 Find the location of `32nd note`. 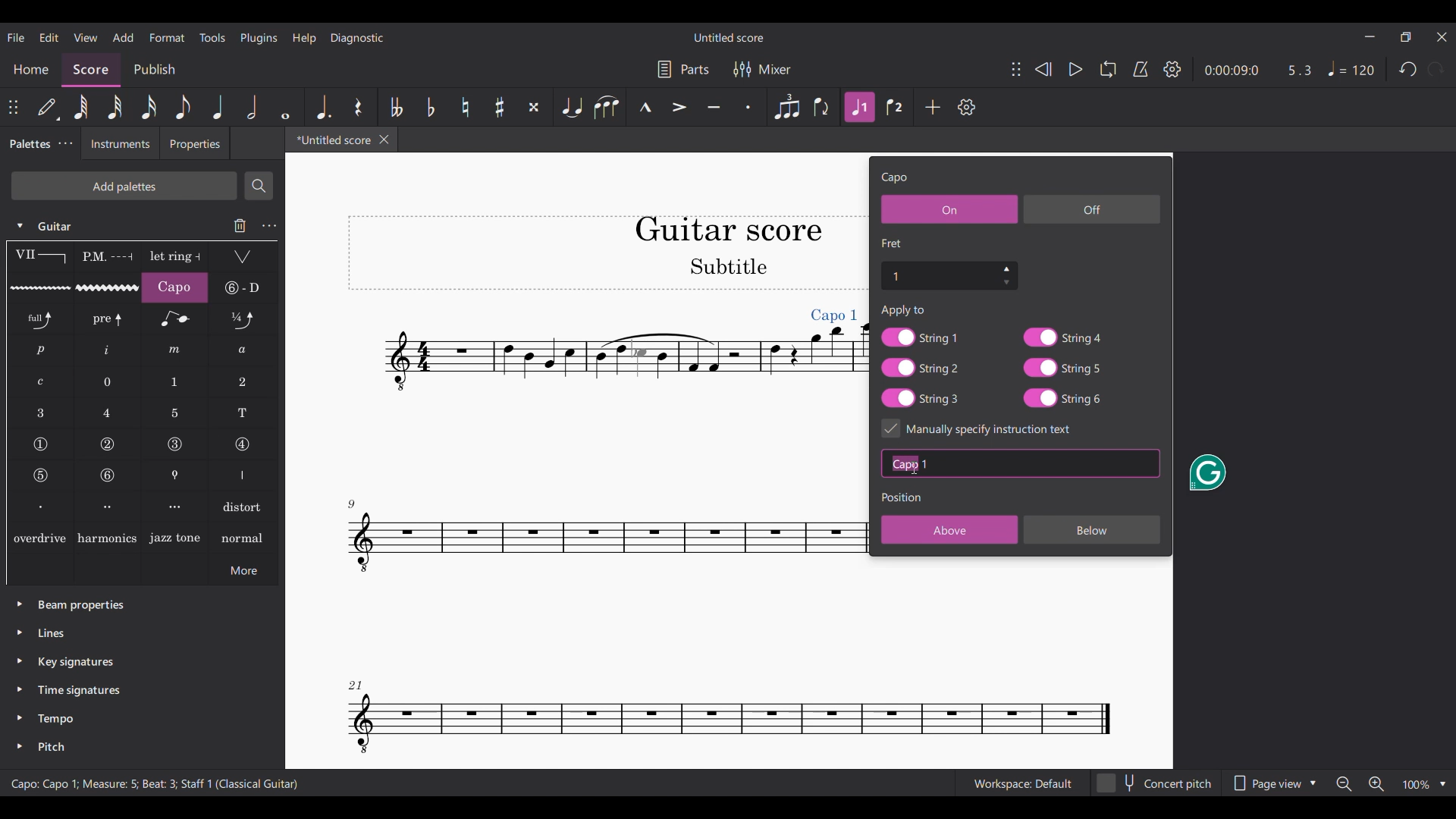

32nd note is located at coordinates (115, 107).